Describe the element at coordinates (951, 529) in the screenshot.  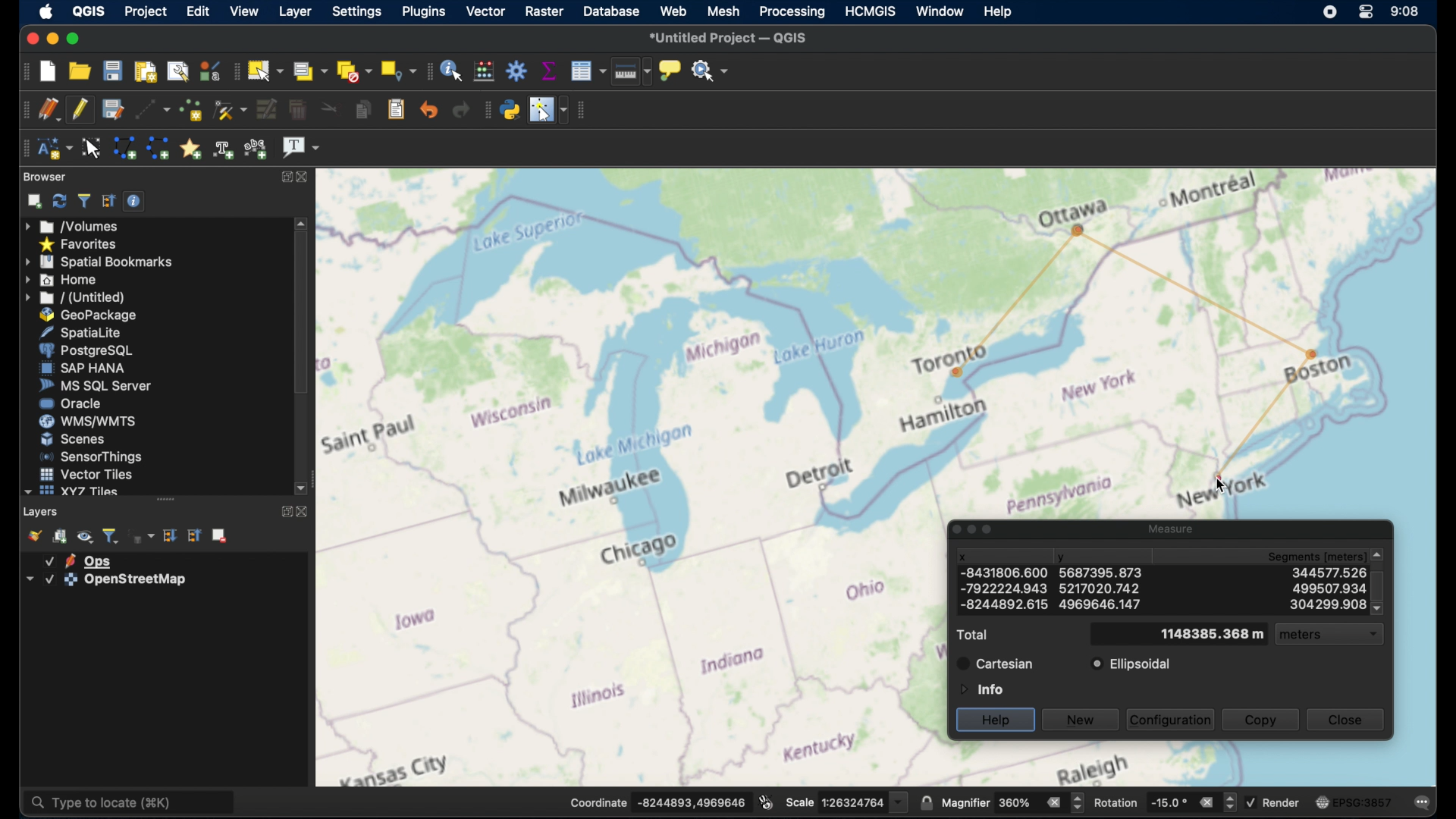
I see `close` at that location.